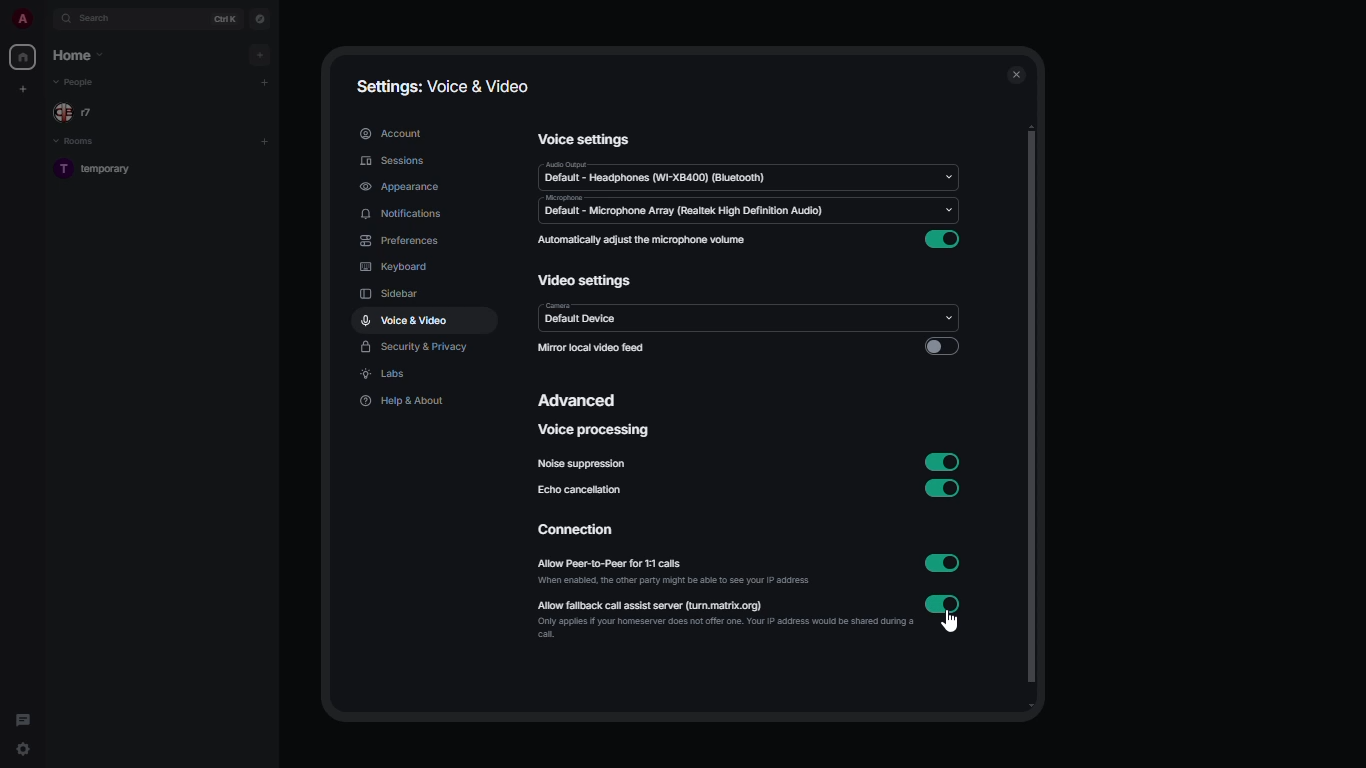  I want to click on expand, so click(45, 18).